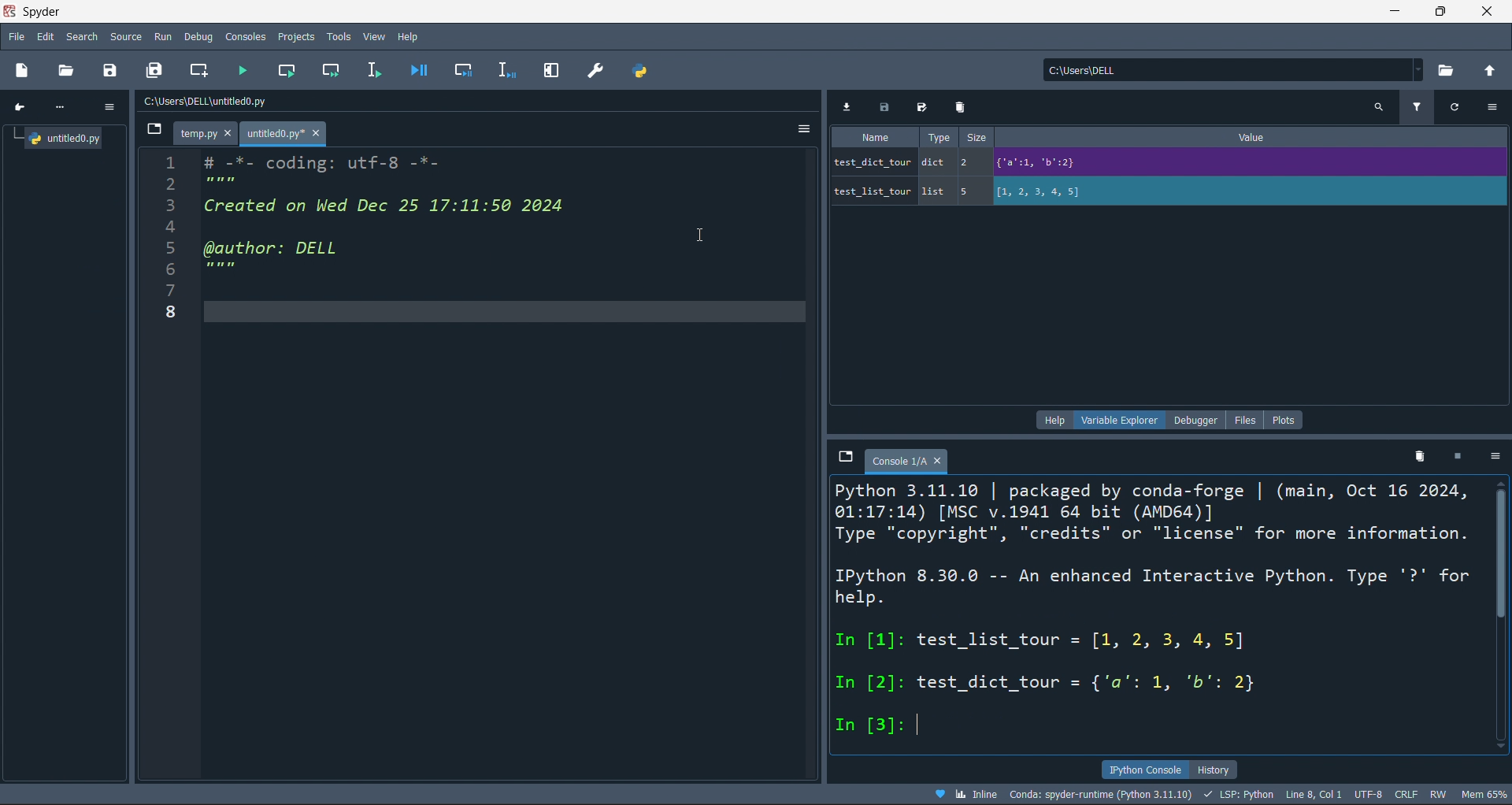 Image resolution: width=1512 pixels, height=805 pixels. What do you see at coordinates (287, 72) in the screenshot?
I see `run cell` at bounding box center [287, 72].